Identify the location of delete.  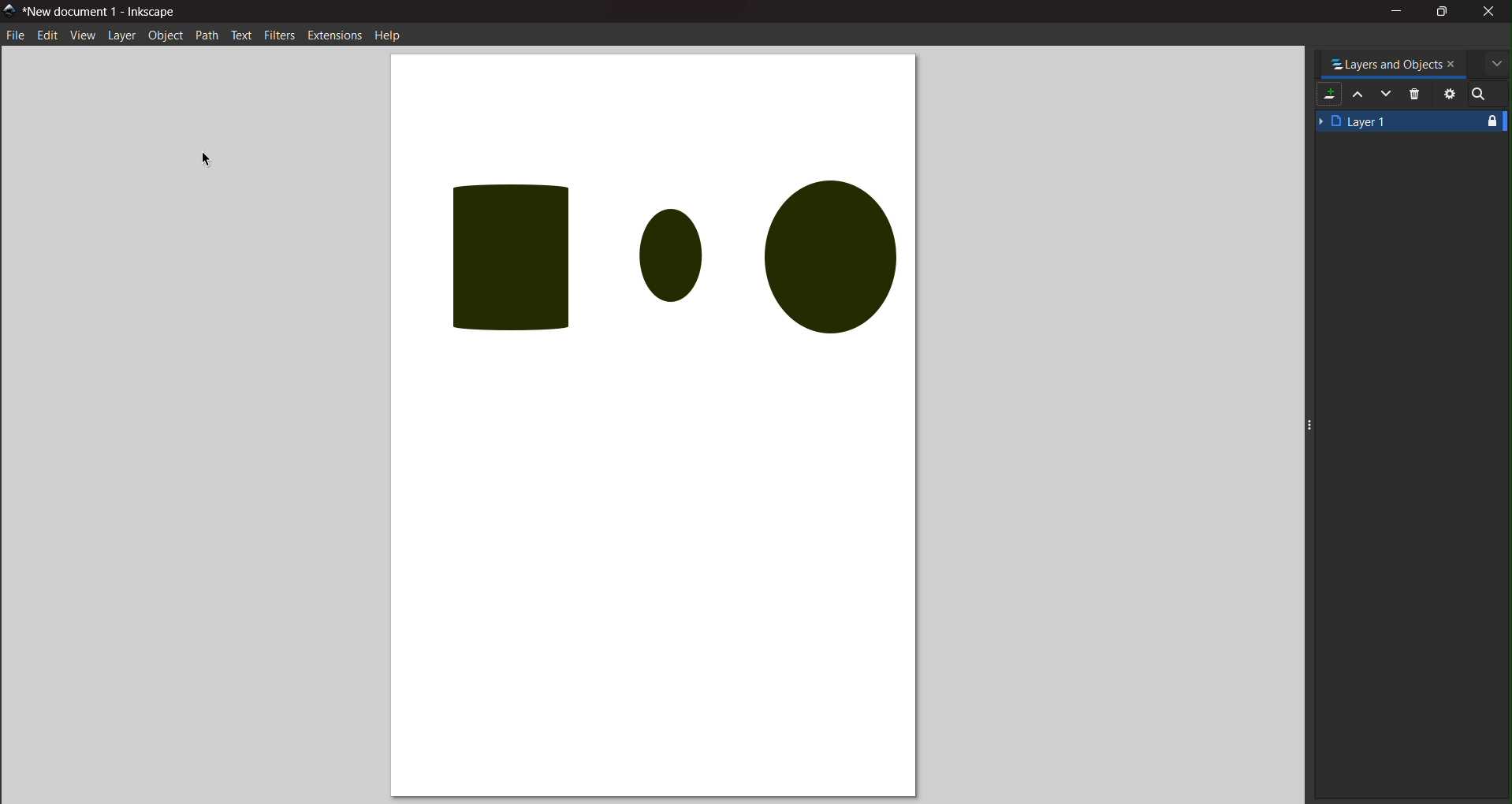
(1417, 93).